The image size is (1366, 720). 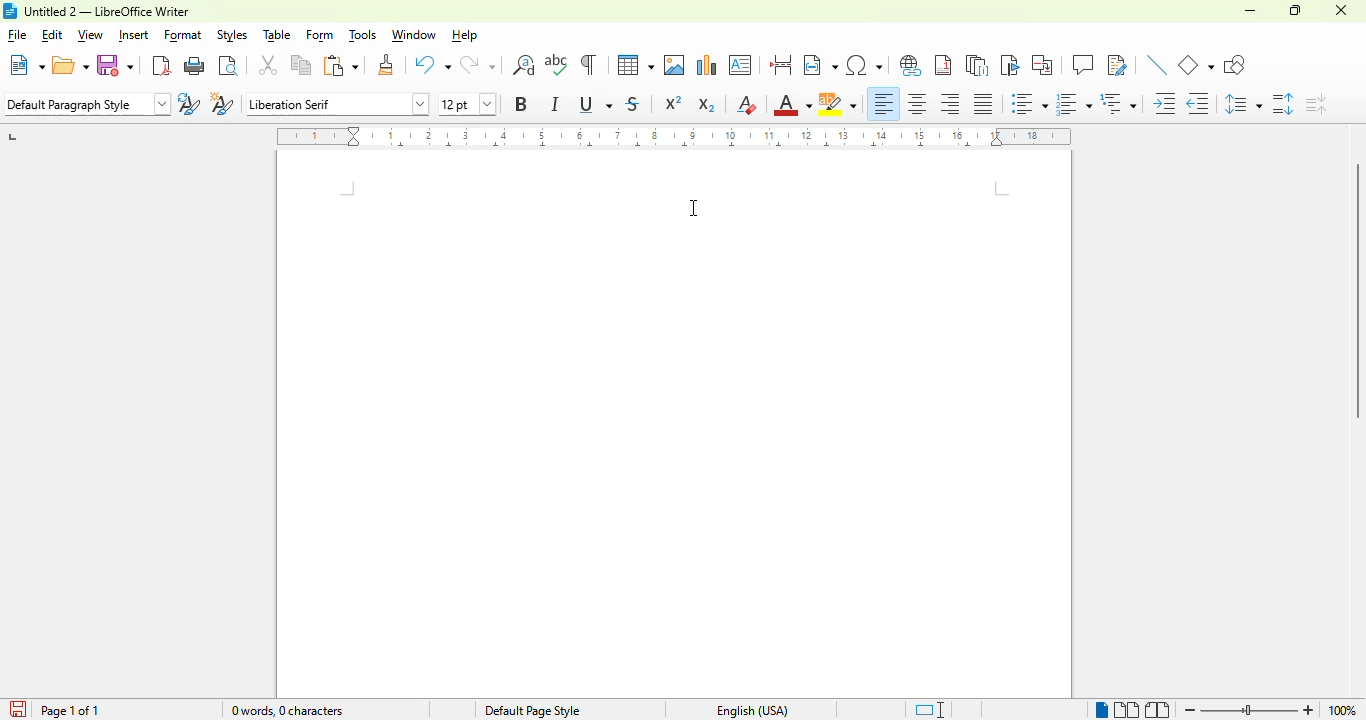 What do you see at coordinates (1200, 104) in the screenshot?
I see `decrease indent` at bounding box center [1200, 104].